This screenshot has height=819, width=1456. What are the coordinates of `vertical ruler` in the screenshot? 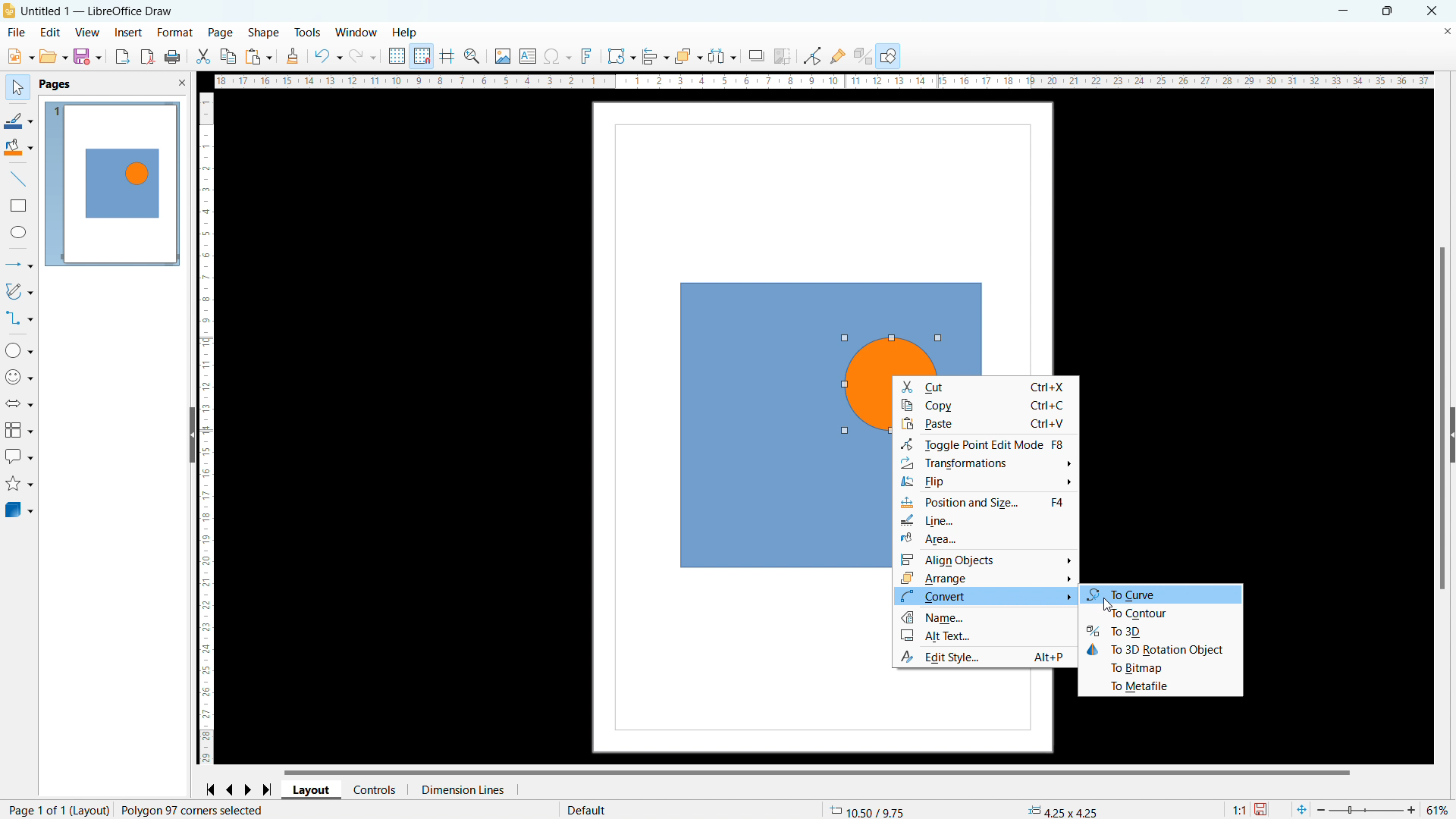 It's located at (209, 428).